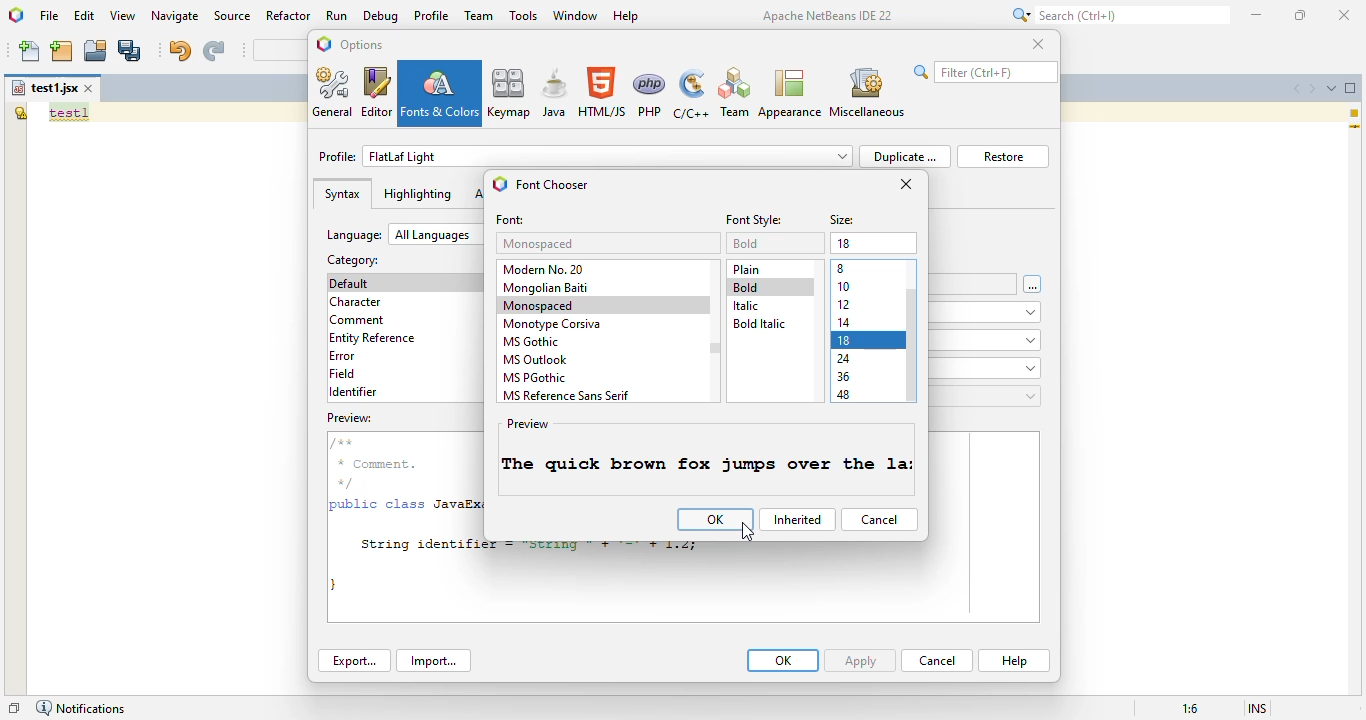 The width and height of the screenshot is (1366, 720). What do you see at coordinates (715, 519) in the screenshot?
I see `OK` at bounding box center [715, 519].